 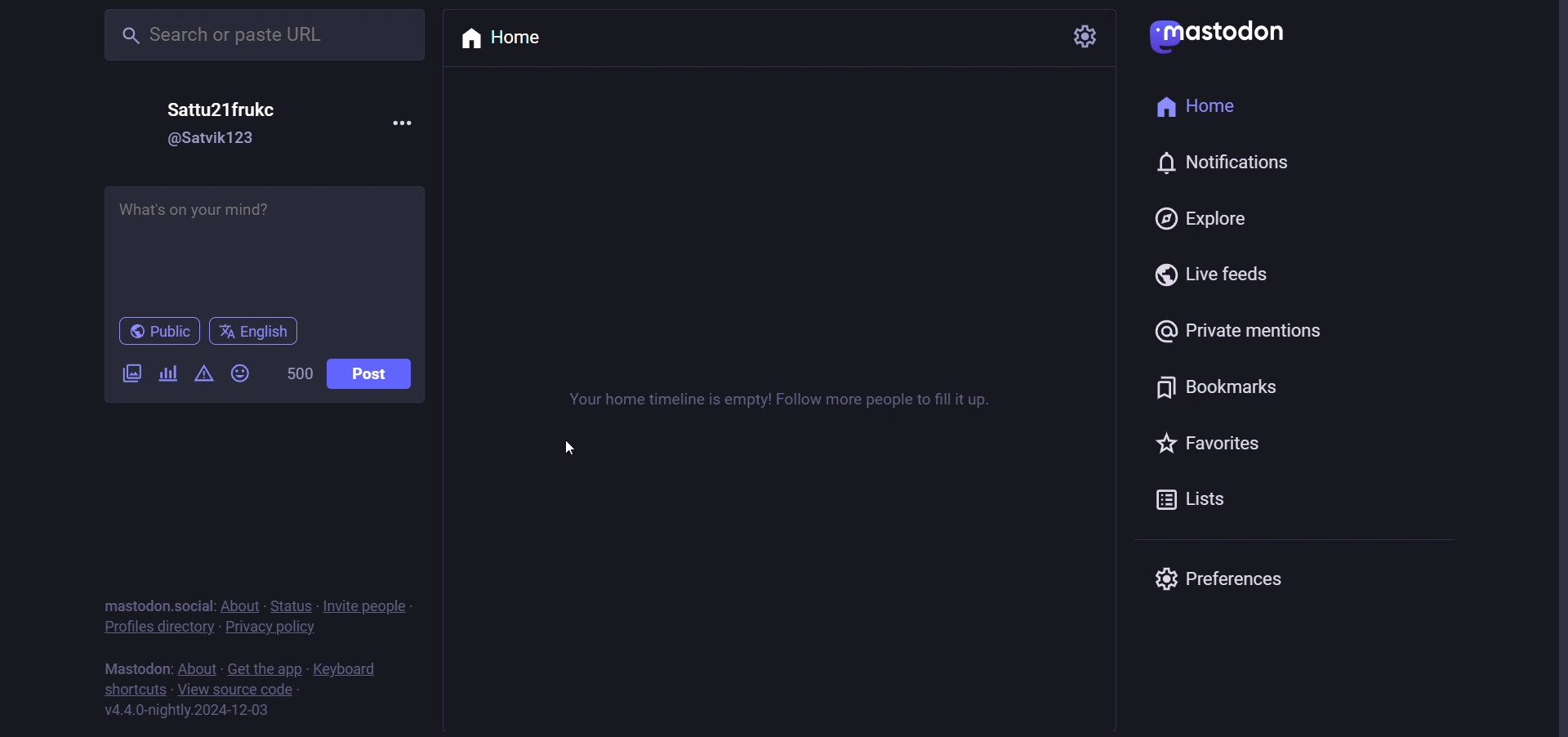 I want to click on preferences, so click(x=1237, y=574).